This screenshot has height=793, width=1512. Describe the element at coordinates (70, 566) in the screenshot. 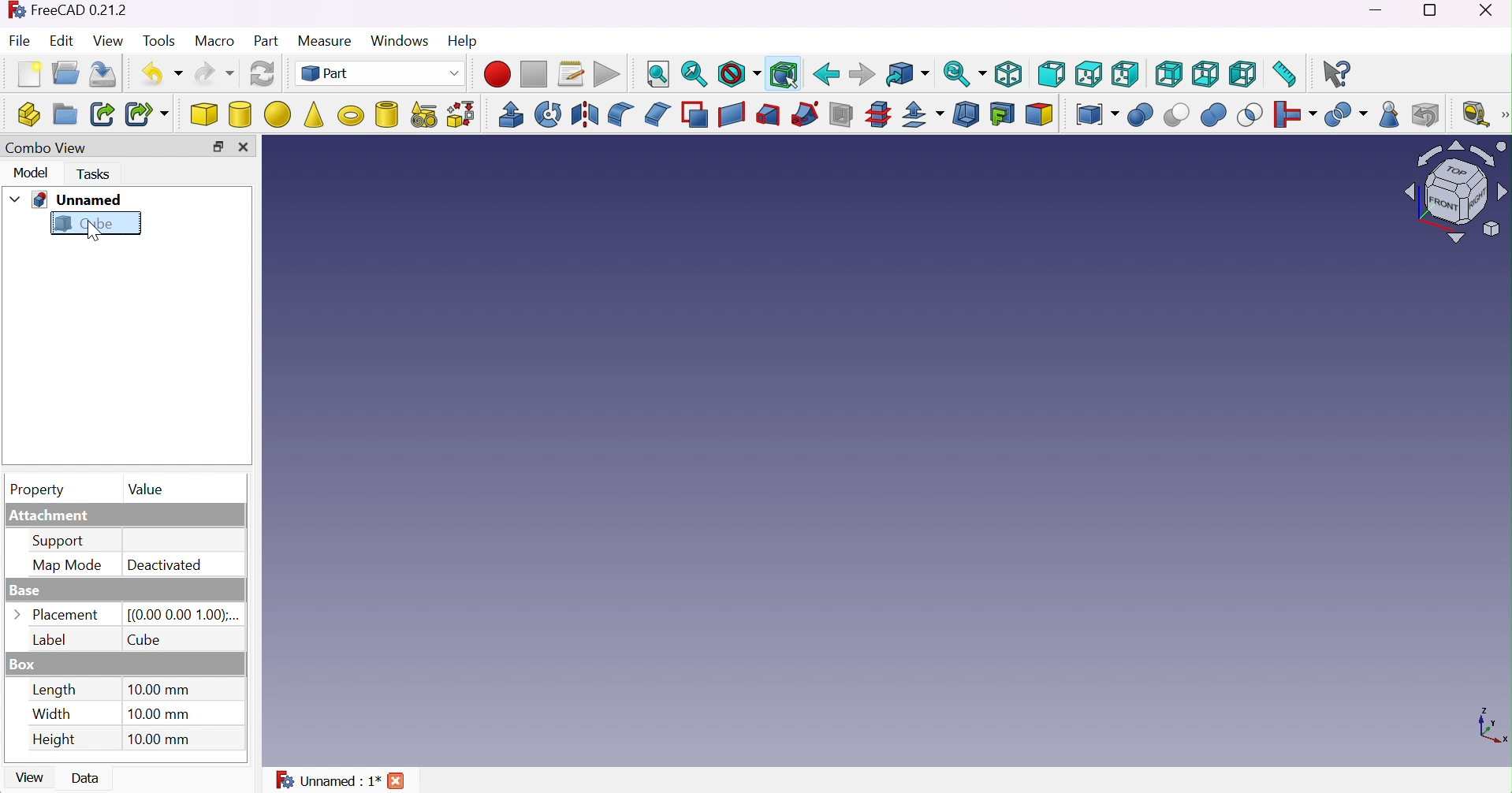

I see `Map mode` at that location.